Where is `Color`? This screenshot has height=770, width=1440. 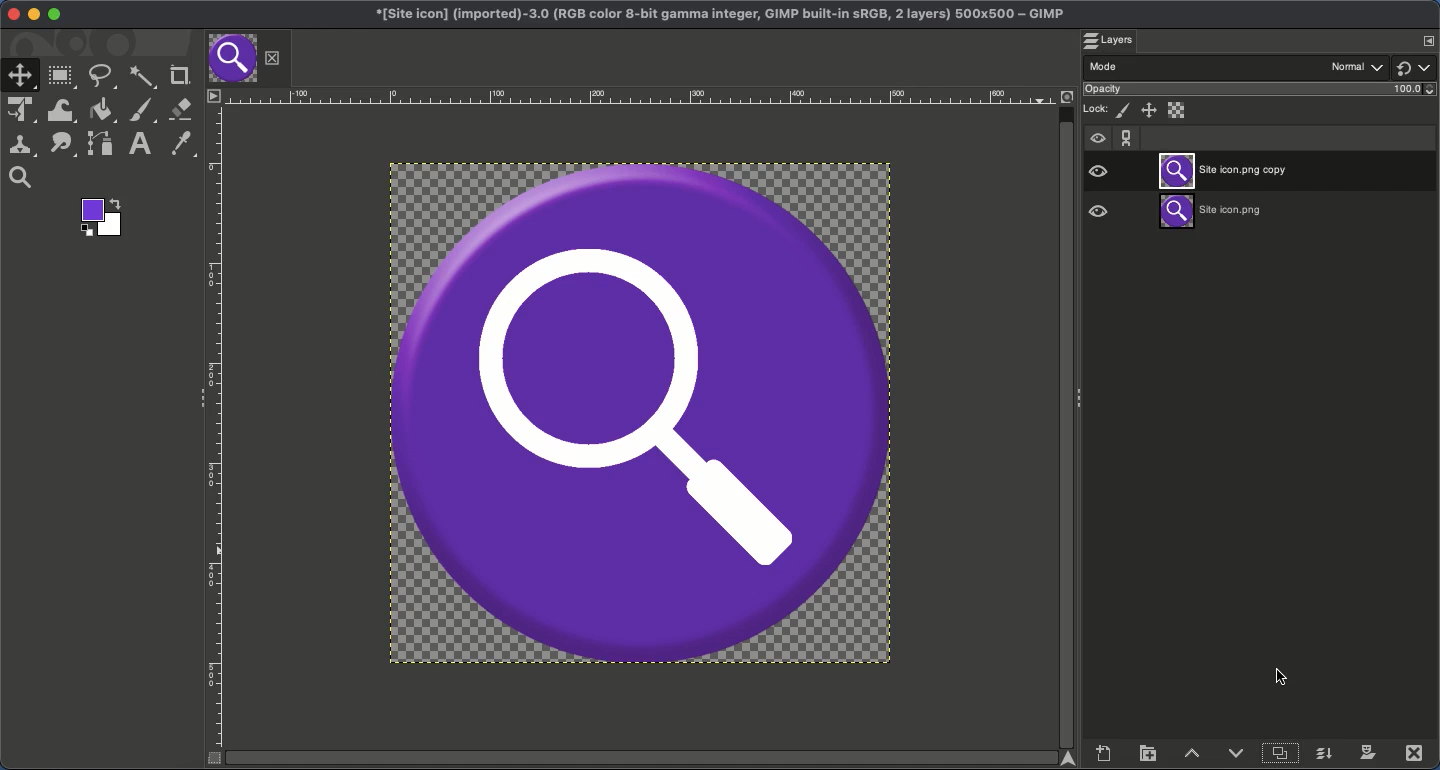
Color is located at coordinates (102, 219).